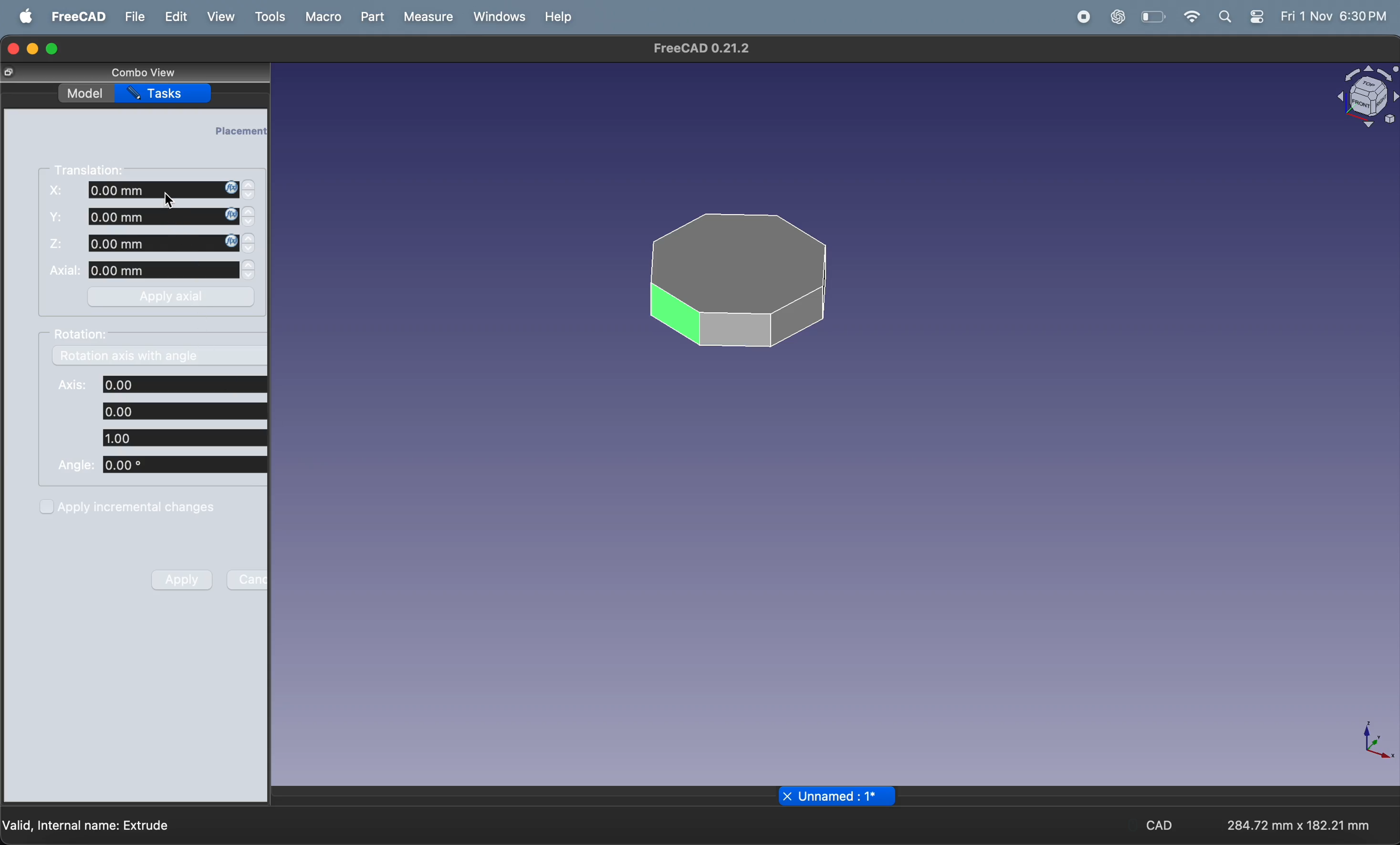 The height and width of the screenshot is (845, 1400). What do you see at coordinates (85, 334) in the screenshot?
I see `Rotation:` at bounding box center [85, 334].